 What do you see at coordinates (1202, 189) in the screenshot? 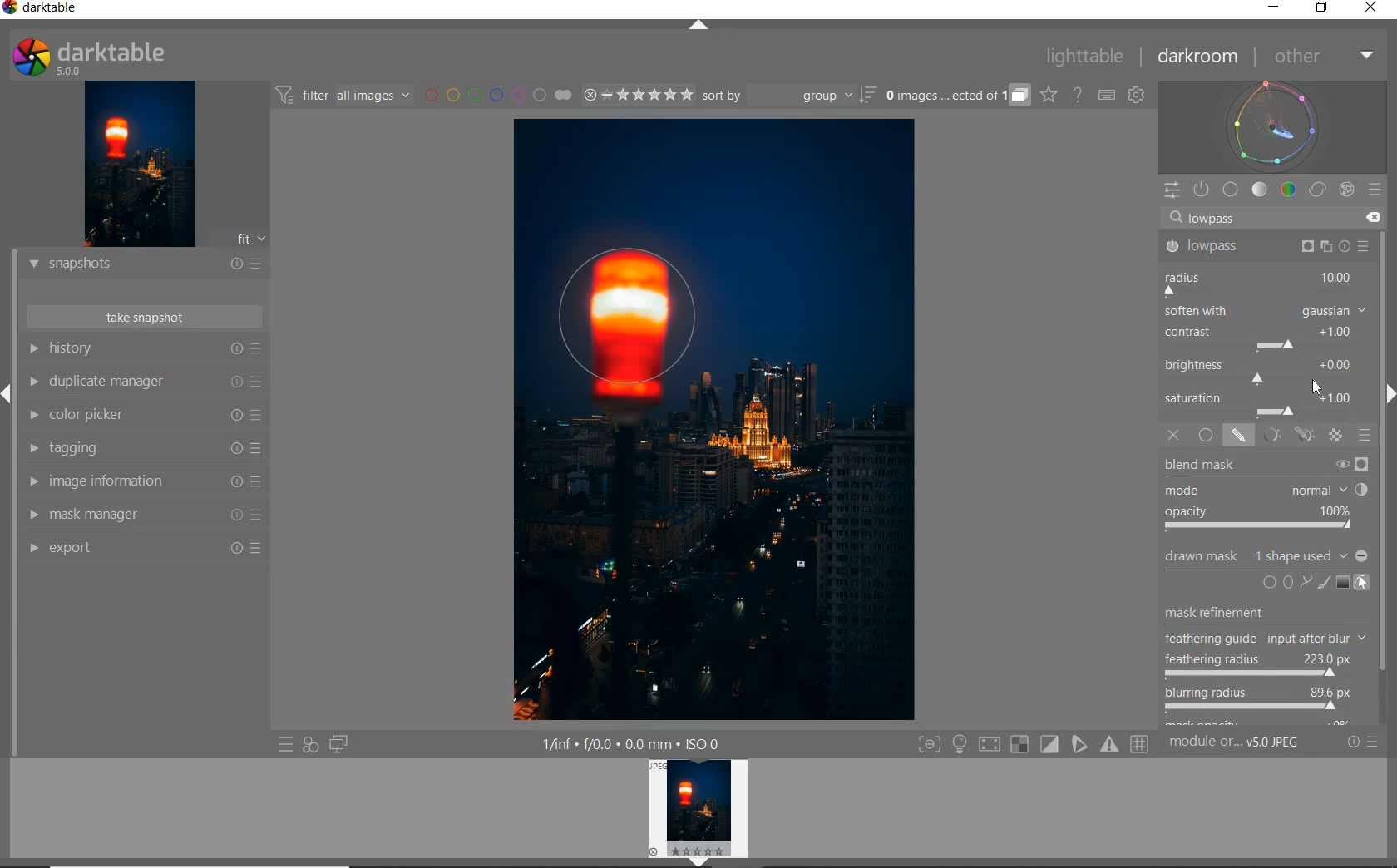
I see `SHOW ONLY ACTIVE MODULES` at bounding box center [1202, 189].